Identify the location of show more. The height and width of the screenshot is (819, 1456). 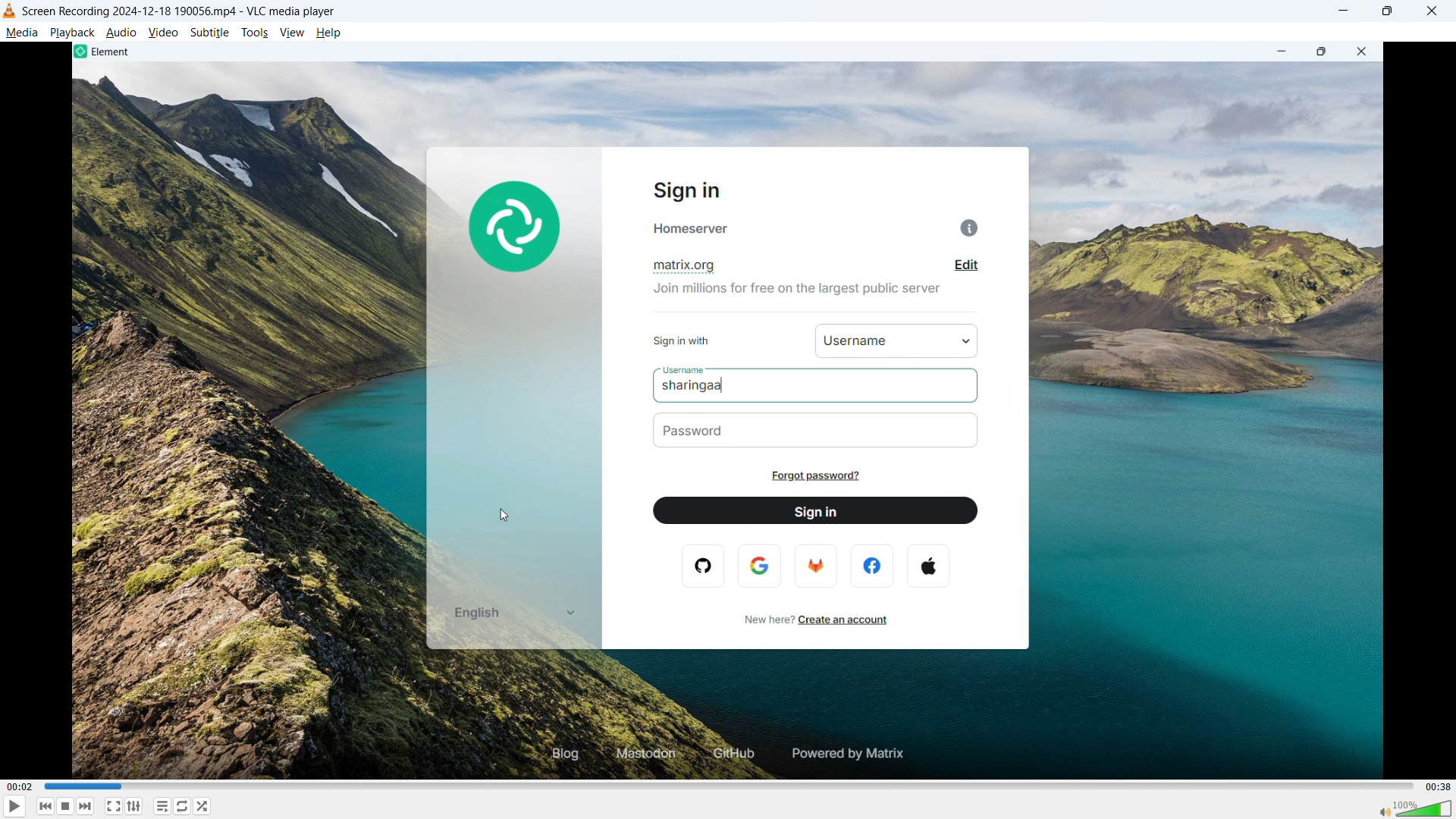
(568, 613).